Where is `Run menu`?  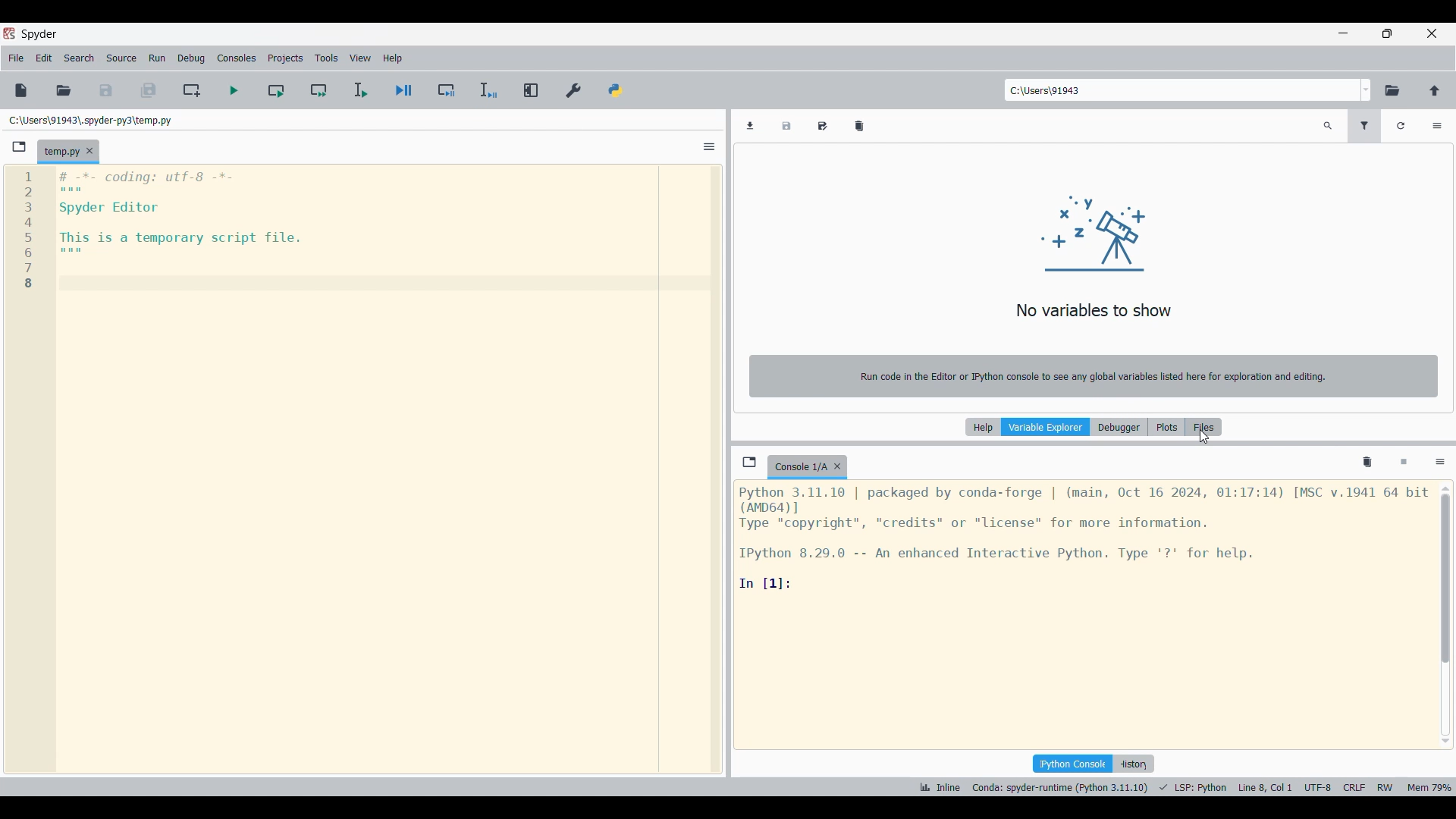
Run menu is located at coordinates (157, 58).